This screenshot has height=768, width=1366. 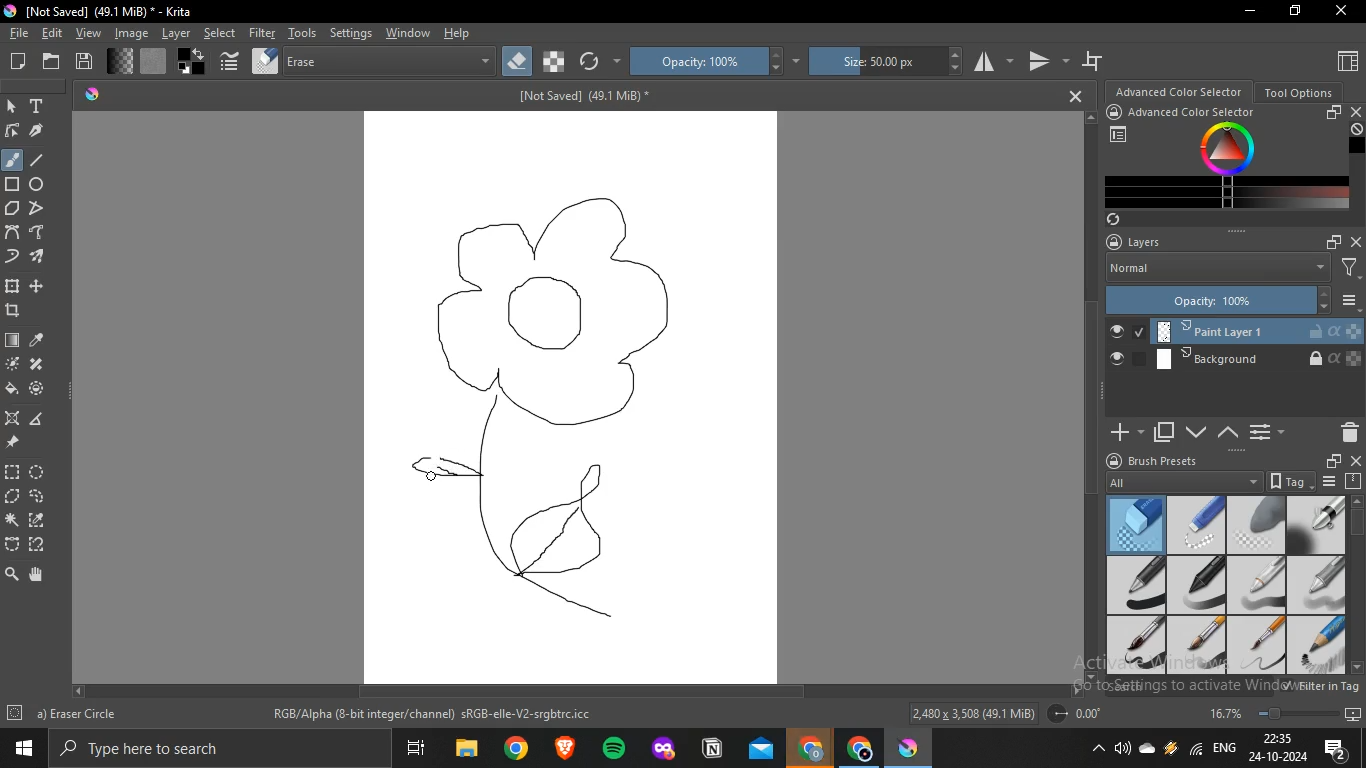 What do you see at coordinates (1300, 91) in the screenshot?
I see `tool options` at bounding box center [1300, 91].